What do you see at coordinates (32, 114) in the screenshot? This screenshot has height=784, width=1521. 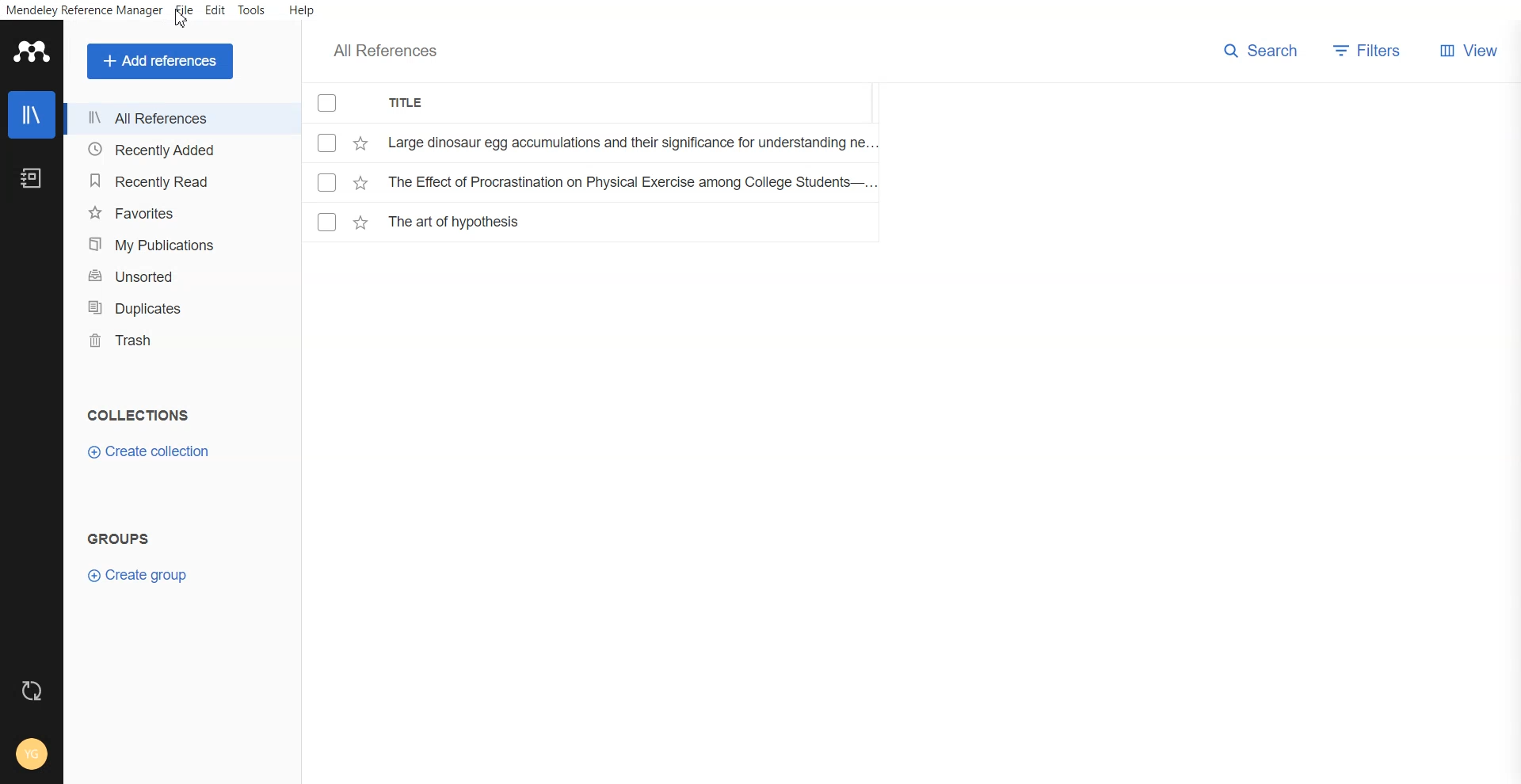 I see `Library` at bounding box center [32, 114].